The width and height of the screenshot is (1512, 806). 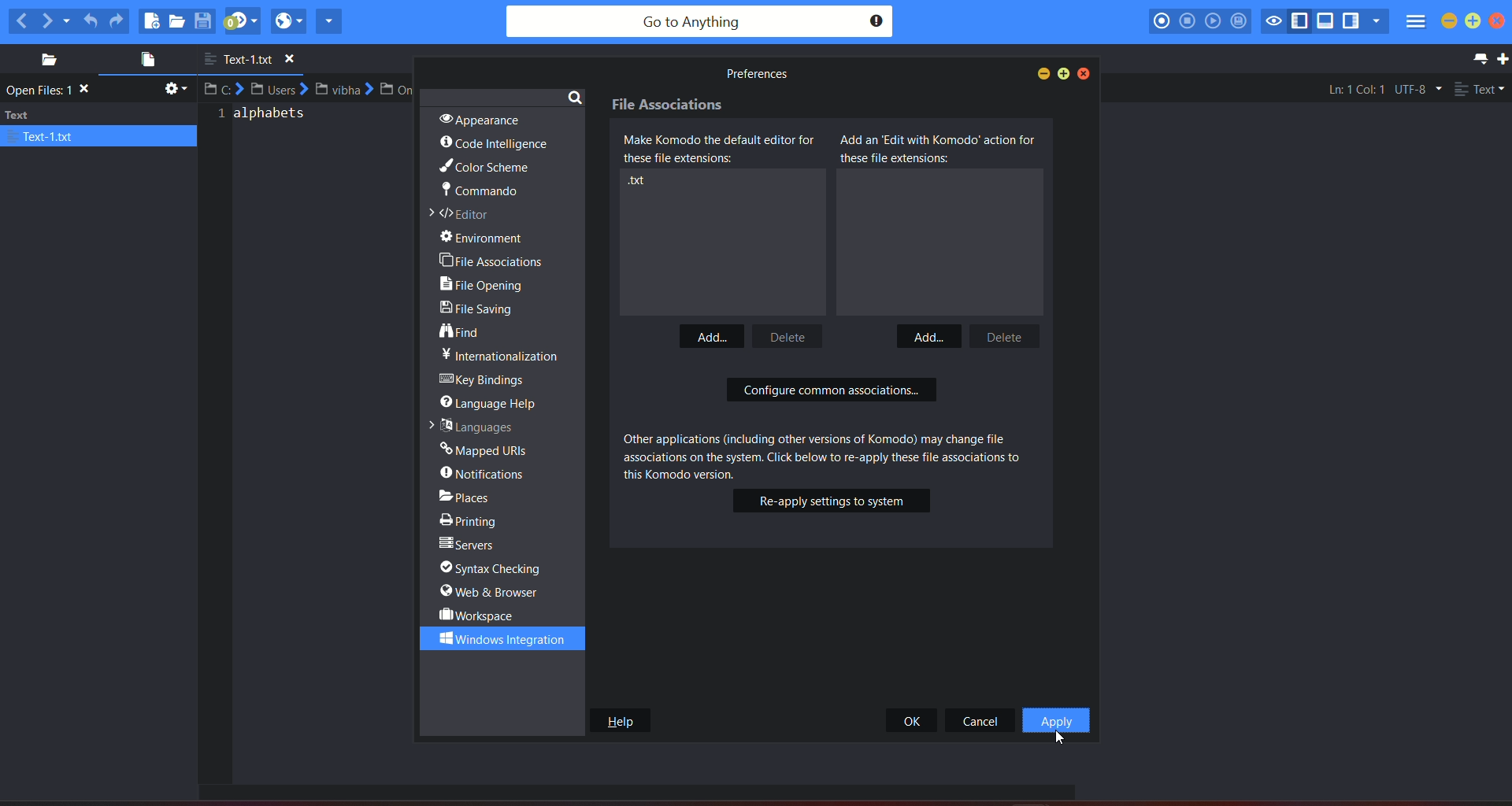 I want to click on new file, so click(x=151, y=20).